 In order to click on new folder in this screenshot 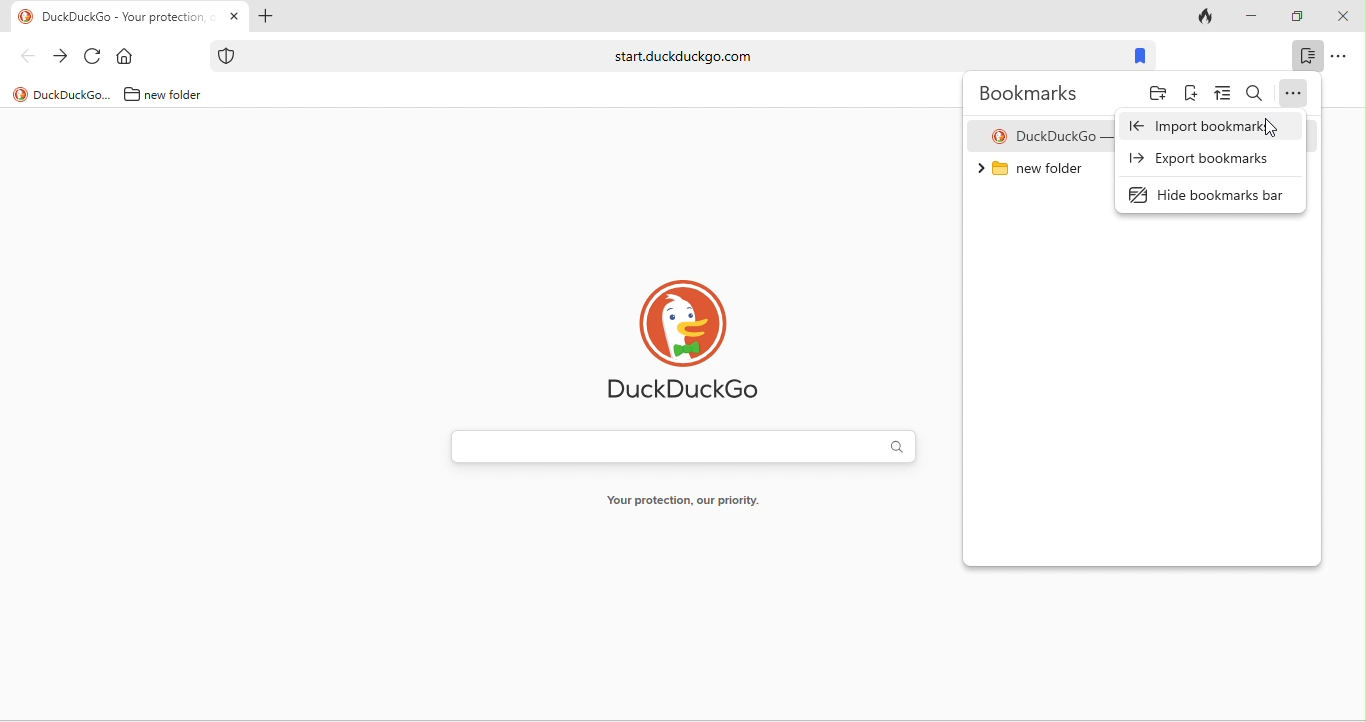, I will do `click(181, 94)`.